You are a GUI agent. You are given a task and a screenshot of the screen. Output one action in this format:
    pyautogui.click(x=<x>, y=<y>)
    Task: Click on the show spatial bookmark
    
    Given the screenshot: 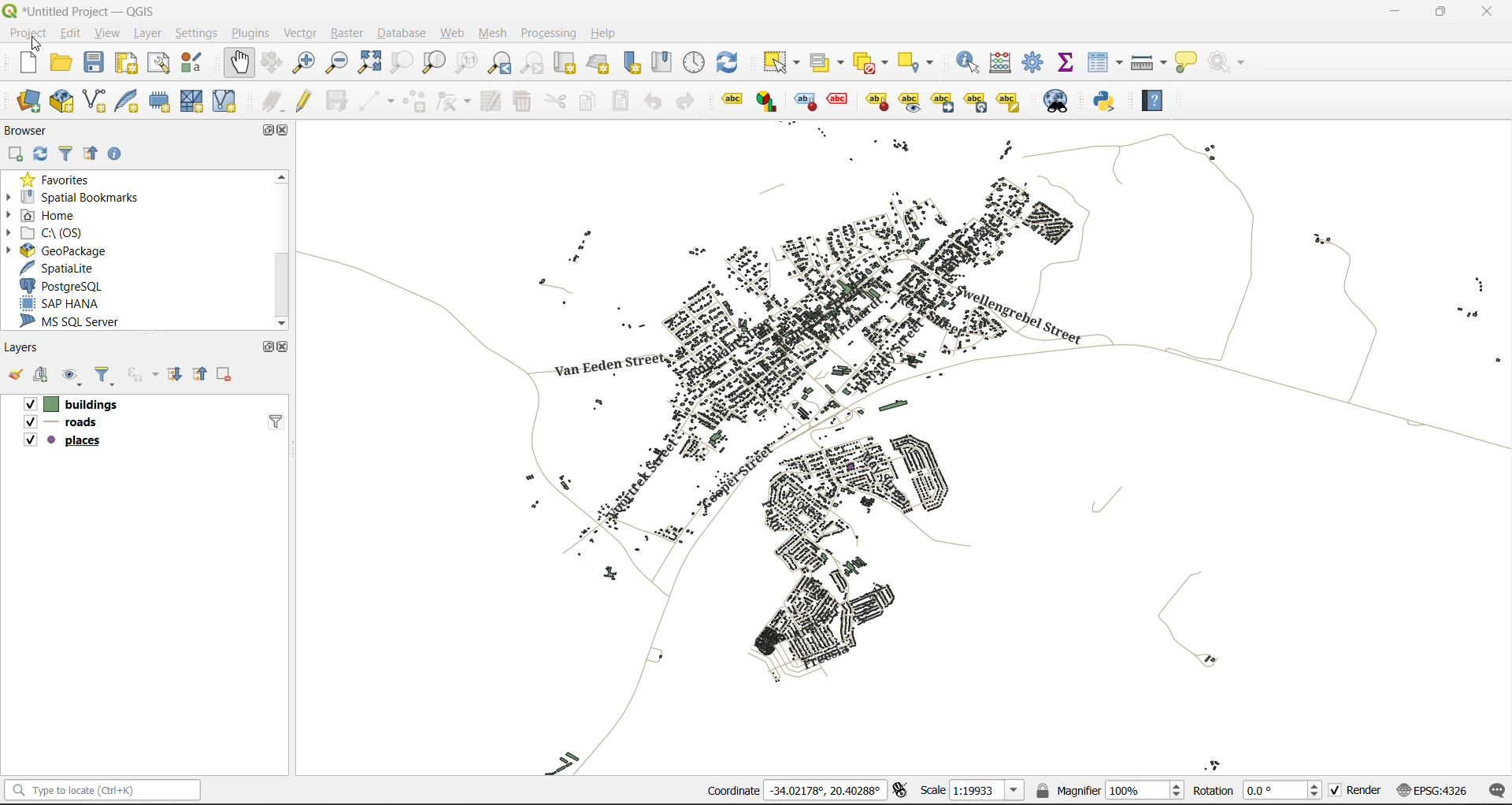 What is the action you would take?
    pyautogui.click(x=665, y=64)
    